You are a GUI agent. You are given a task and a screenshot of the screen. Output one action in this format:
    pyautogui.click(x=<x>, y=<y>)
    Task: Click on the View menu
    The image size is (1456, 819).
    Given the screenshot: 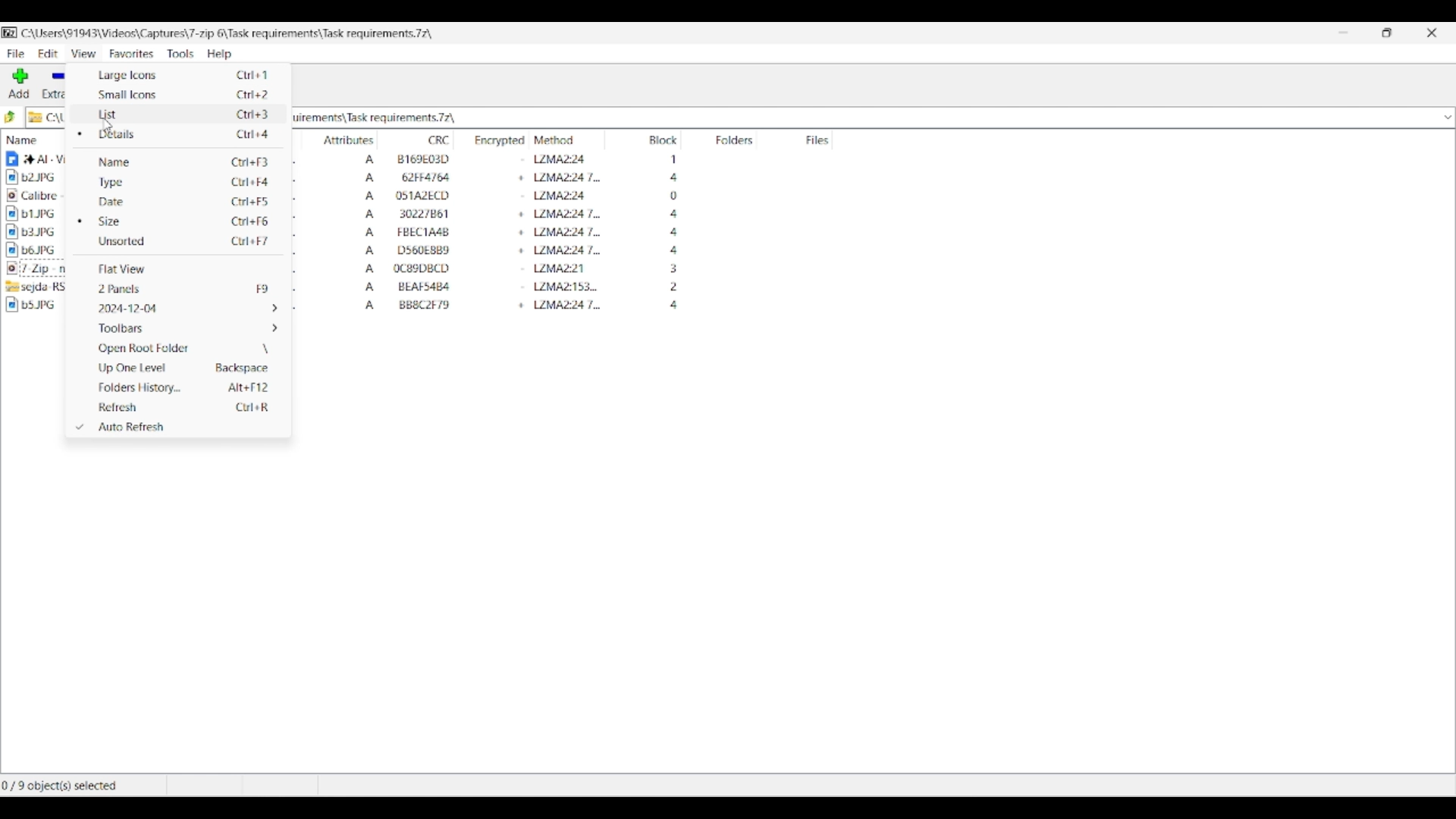 What is the action you would take?
    pyautogui.click(x=83, y=53)
    